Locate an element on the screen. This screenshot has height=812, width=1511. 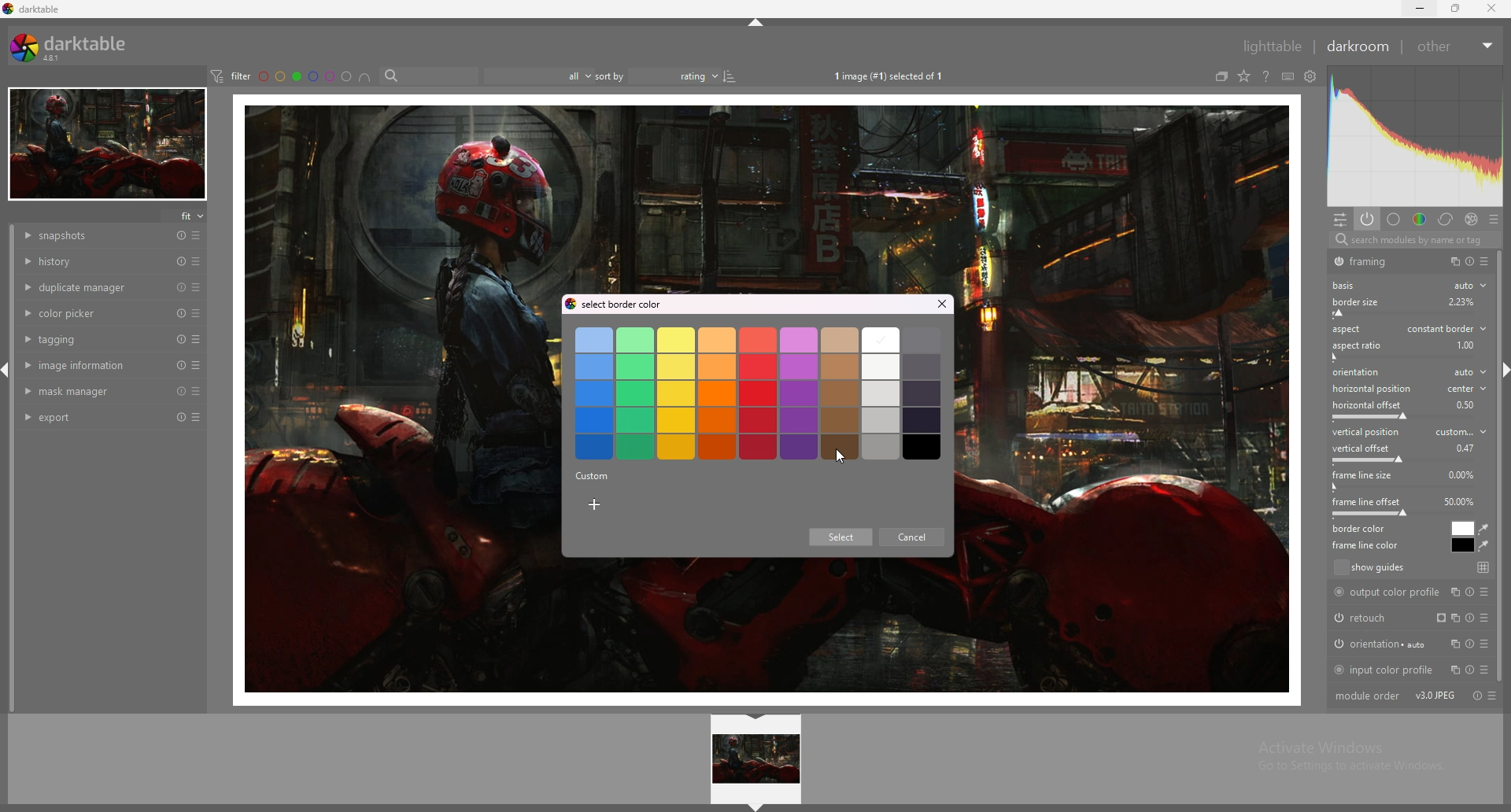
color picker is located at coordinates (94, 312).